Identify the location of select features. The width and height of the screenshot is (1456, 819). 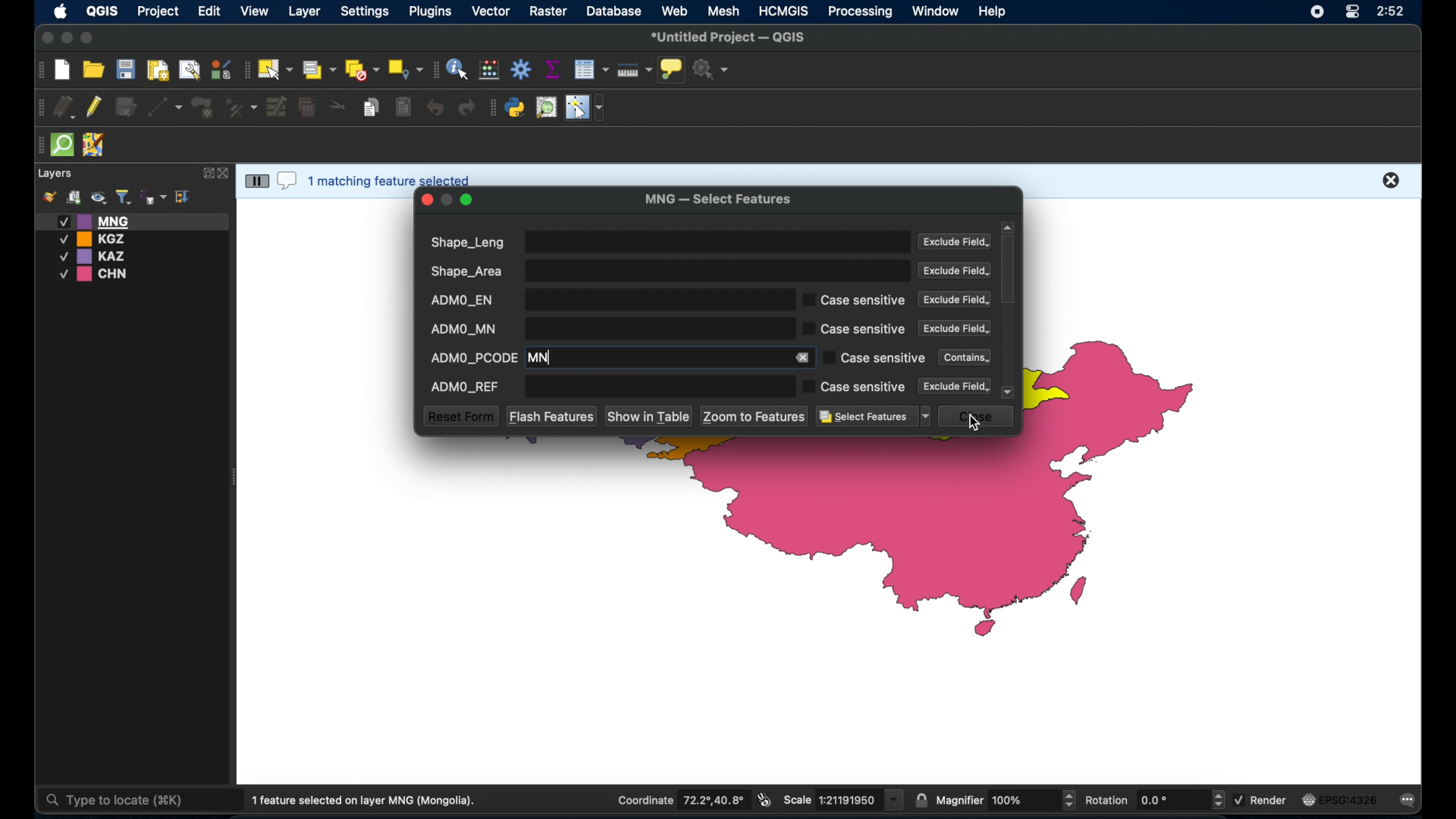
(275, 69).